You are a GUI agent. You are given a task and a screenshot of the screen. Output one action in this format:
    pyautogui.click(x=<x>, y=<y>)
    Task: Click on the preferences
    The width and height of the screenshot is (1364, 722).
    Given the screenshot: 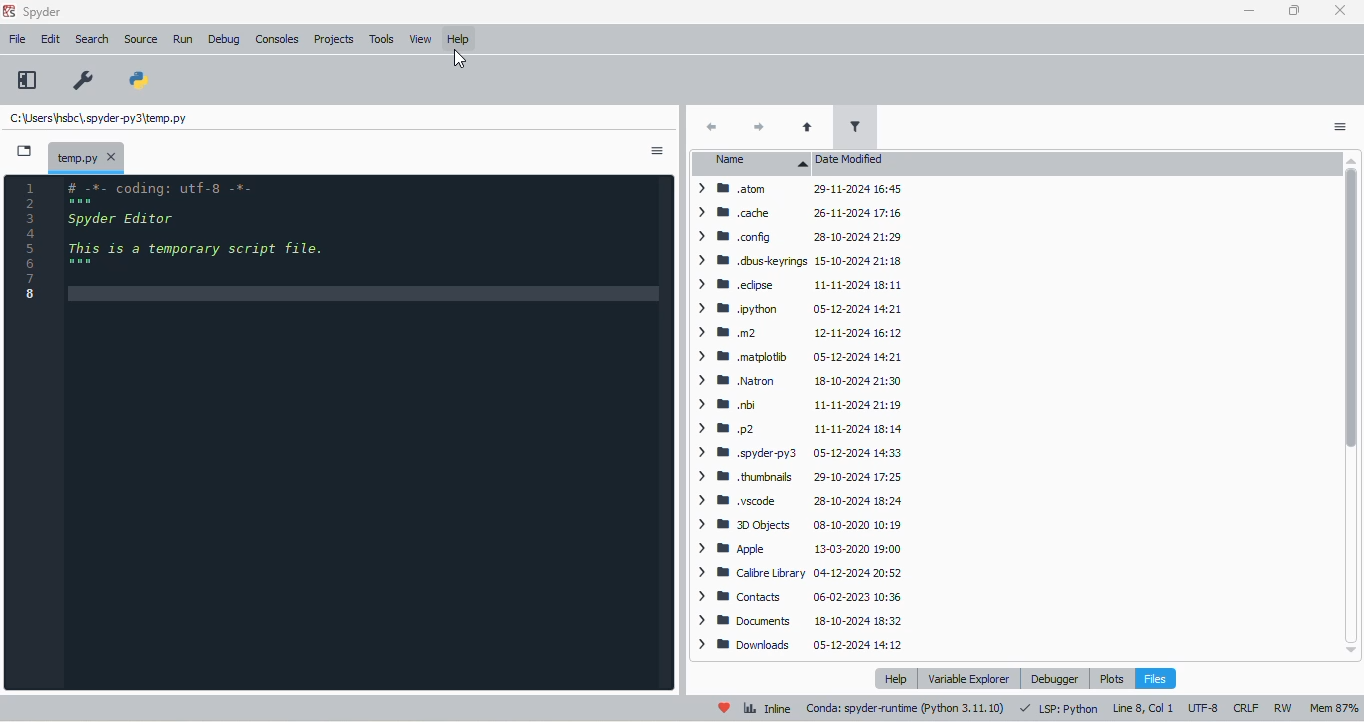 What is the action you would take?
    pyautogui.click(x=84, y=80)
    